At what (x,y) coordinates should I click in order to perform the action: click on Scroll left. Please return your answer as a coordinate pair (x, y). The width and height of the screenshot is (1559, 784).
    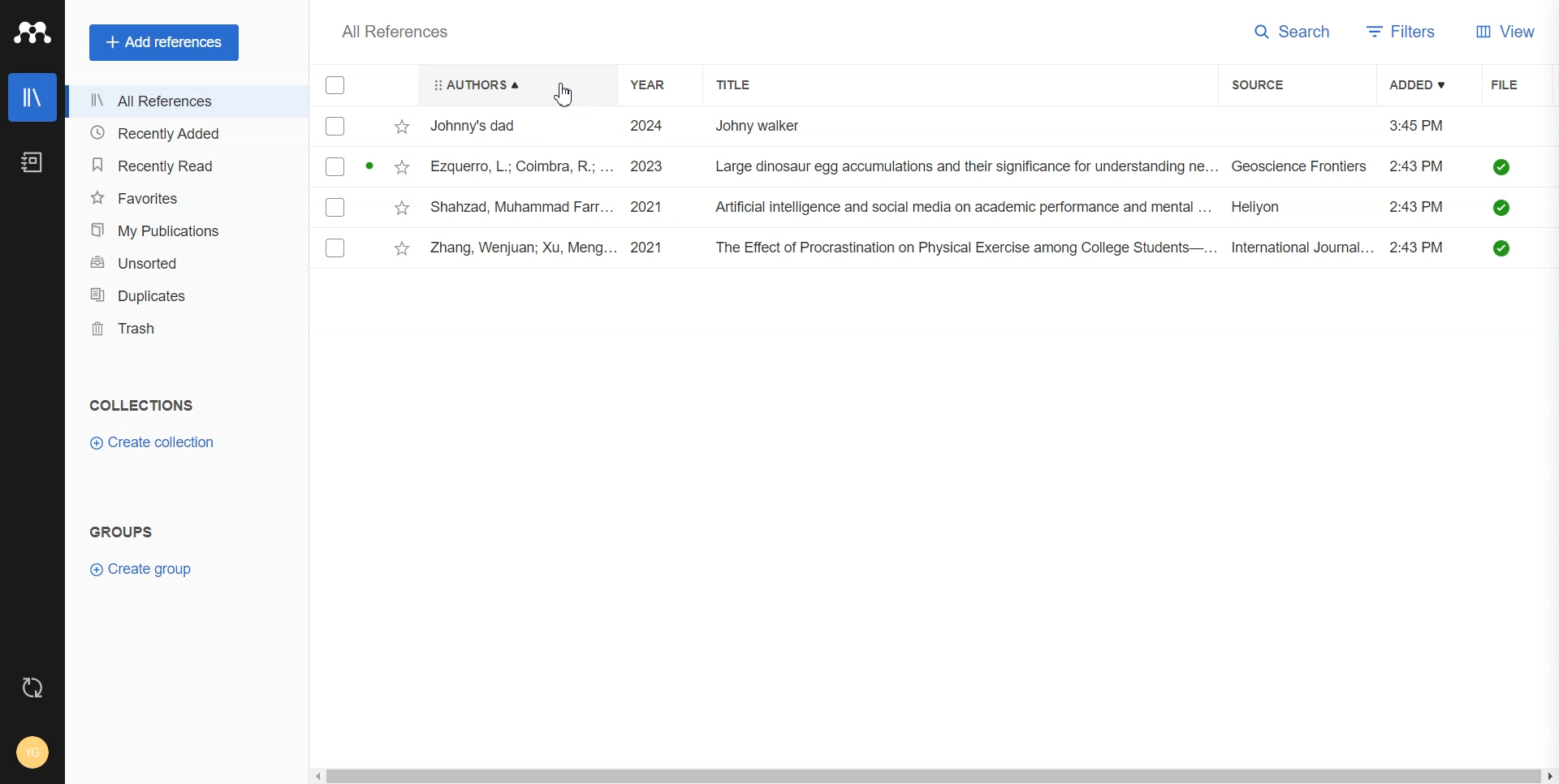
    Looking at the image, I should click on (322, 778).